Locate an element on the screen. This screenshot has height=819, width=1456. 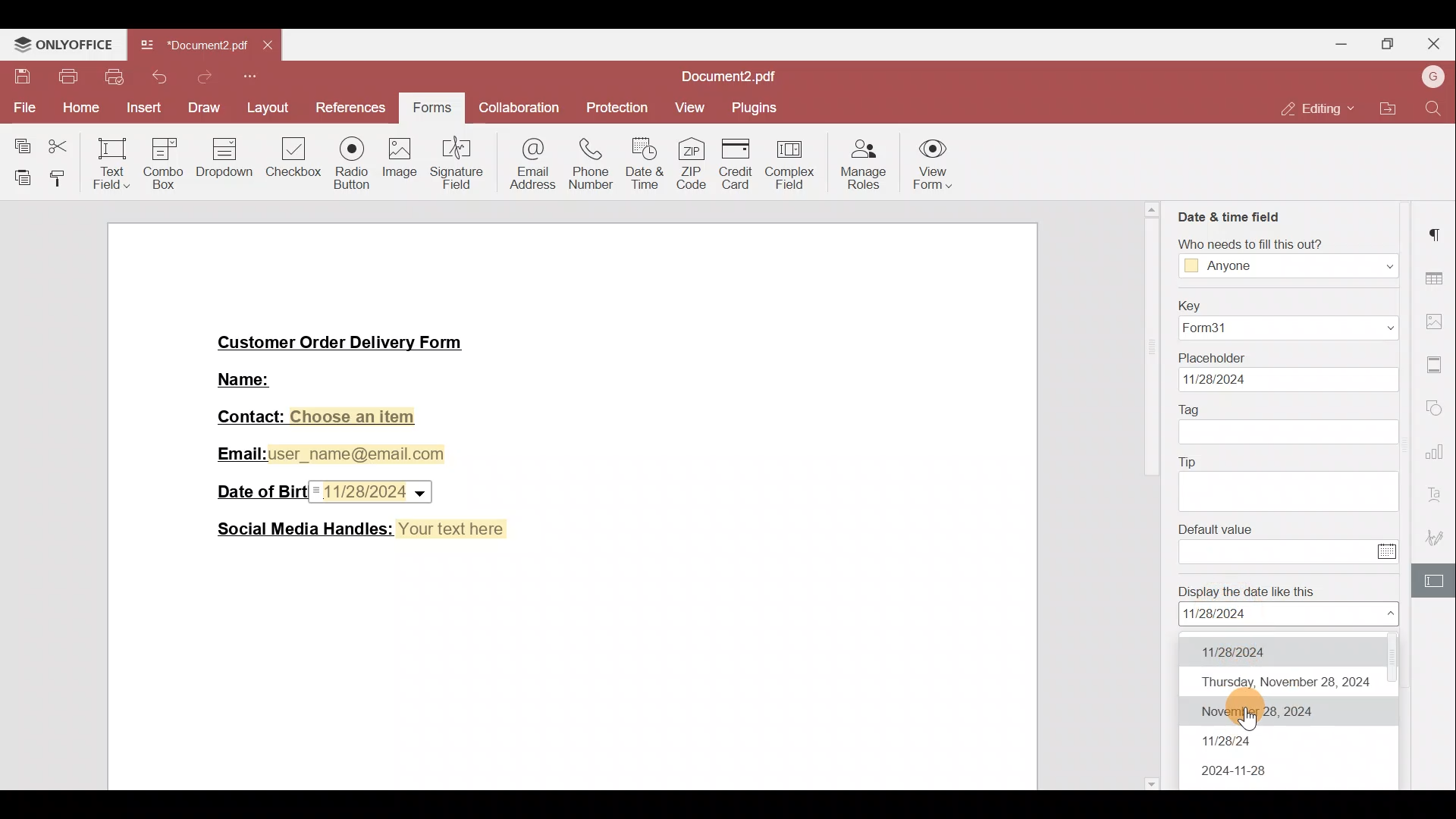
Radio button is located at coordinates (351, 159).